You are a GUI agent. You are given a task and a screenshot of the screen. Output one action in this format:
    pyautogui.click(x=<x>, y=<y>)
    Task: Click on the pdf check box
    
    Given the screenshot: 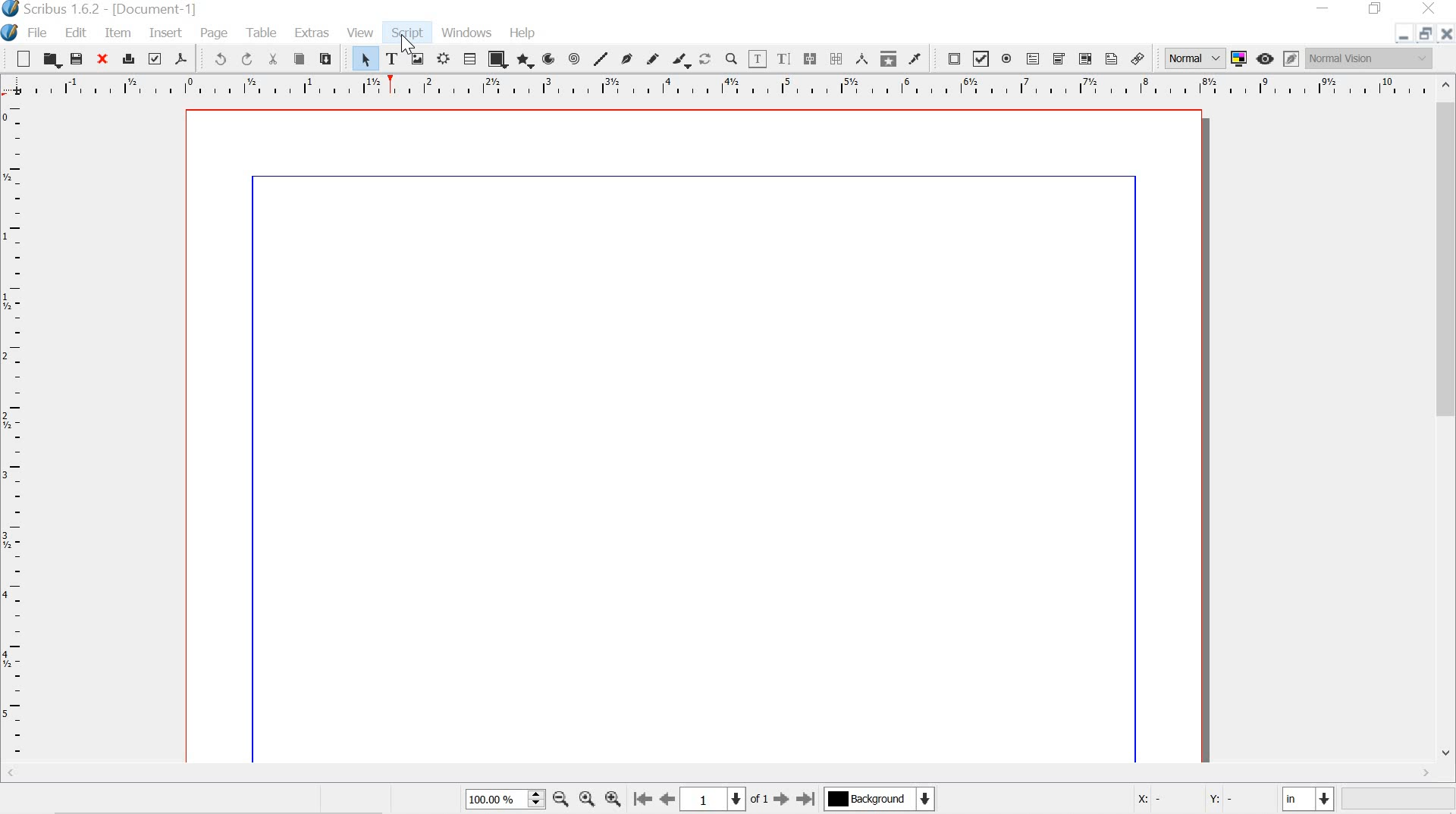 What is the action you would take?
    pyautogui.click(x=981, y=60)
    